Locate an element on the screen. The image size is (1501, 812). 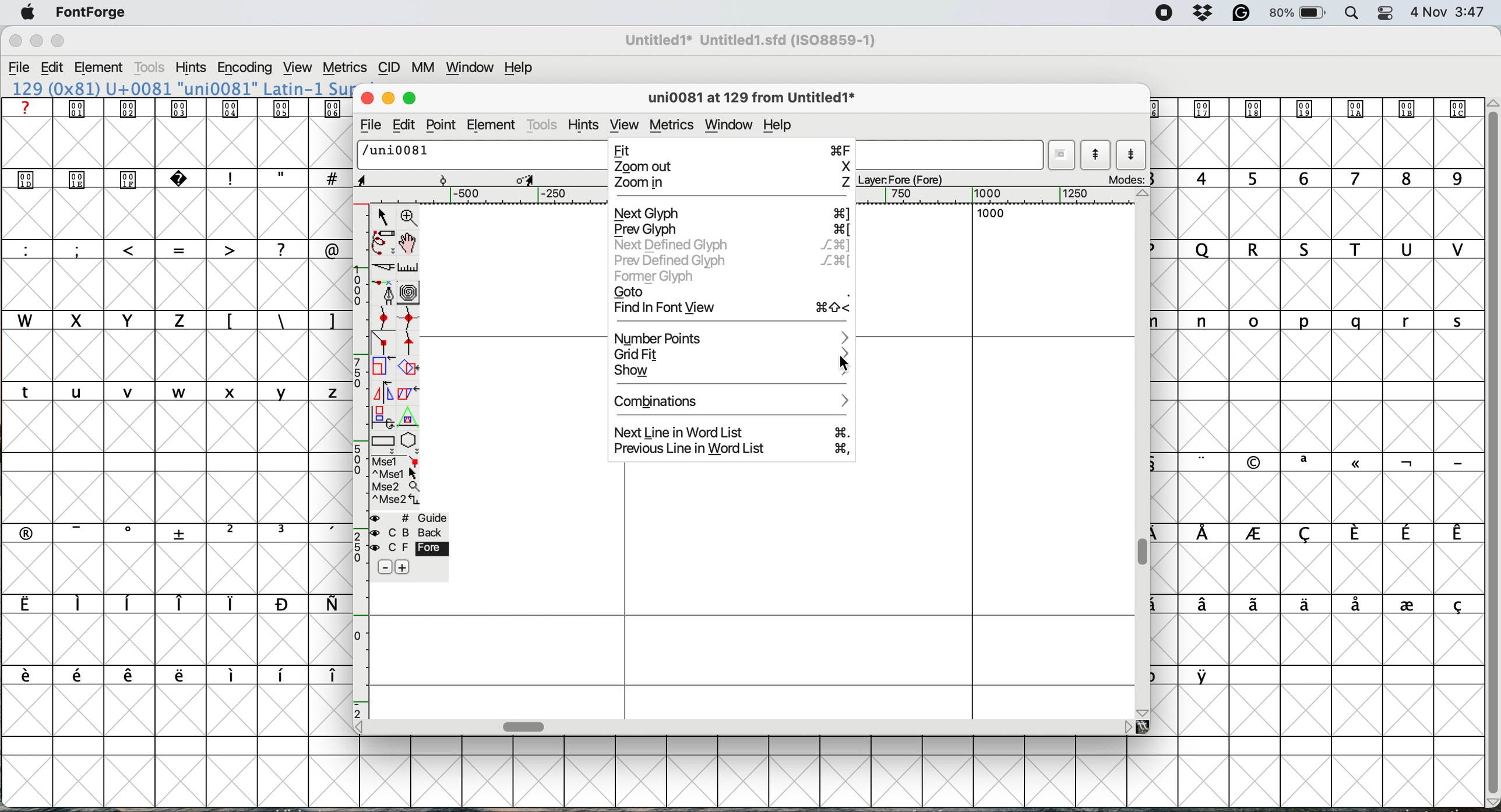
Rotate Point Tool is located at coordinates (444, 180).